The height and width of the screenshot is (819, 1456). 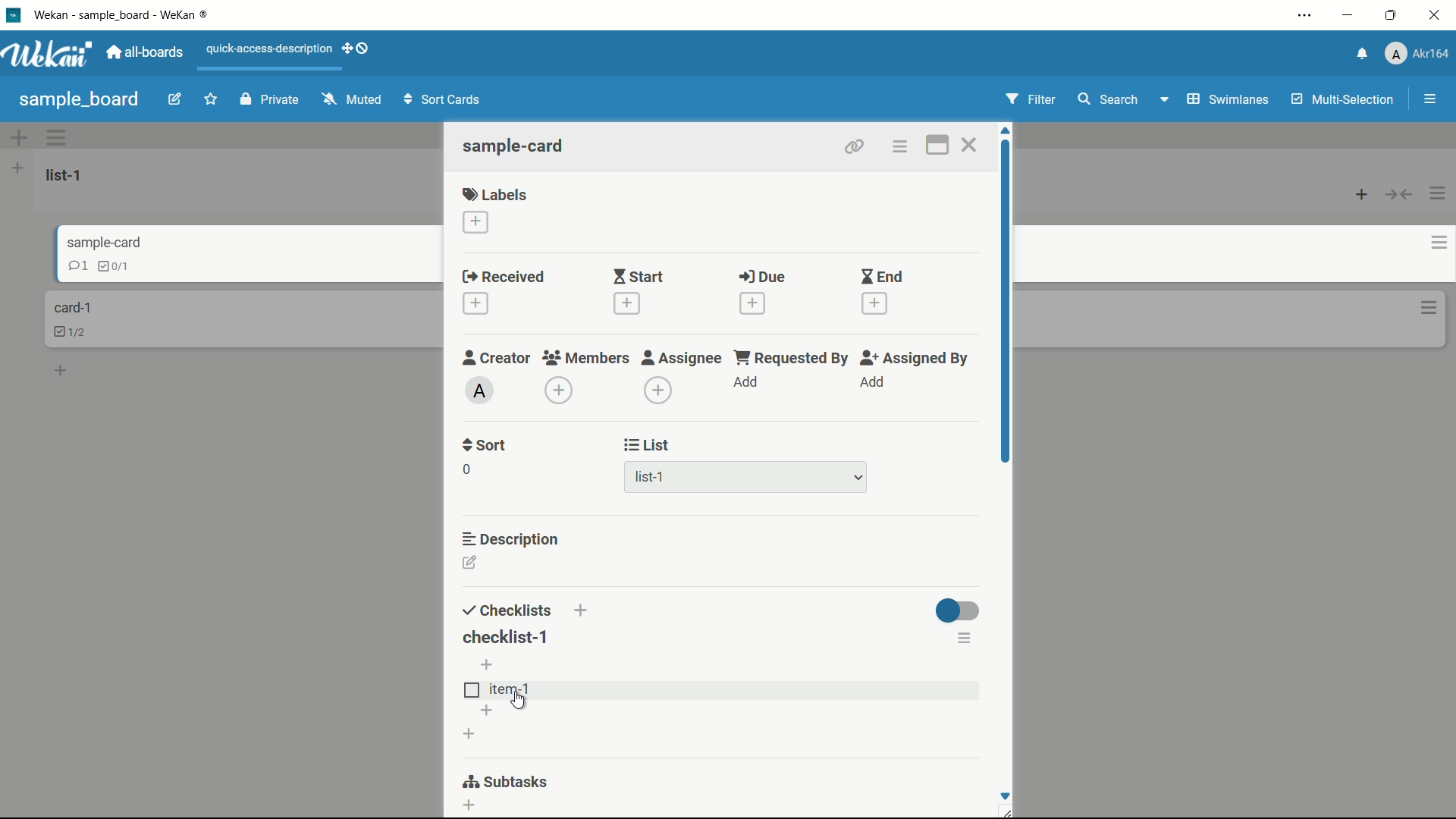 What do you see at coordinates (269, 49) in the screenshot?
I see `quick-access-description` at bounding box center [269, 49].